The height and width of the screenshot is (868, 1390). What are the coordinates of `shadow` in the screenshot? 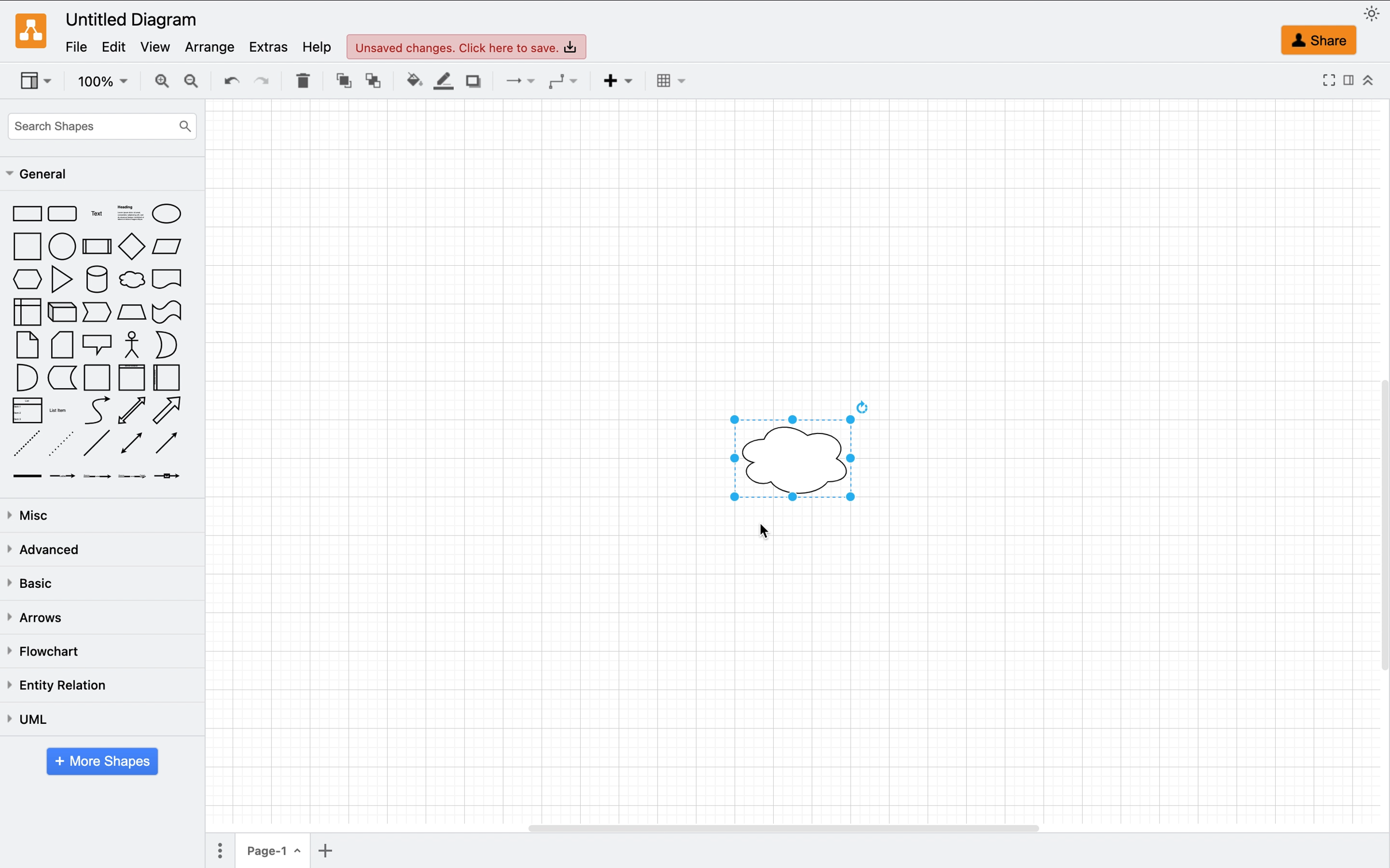 It's located at (474, 83).